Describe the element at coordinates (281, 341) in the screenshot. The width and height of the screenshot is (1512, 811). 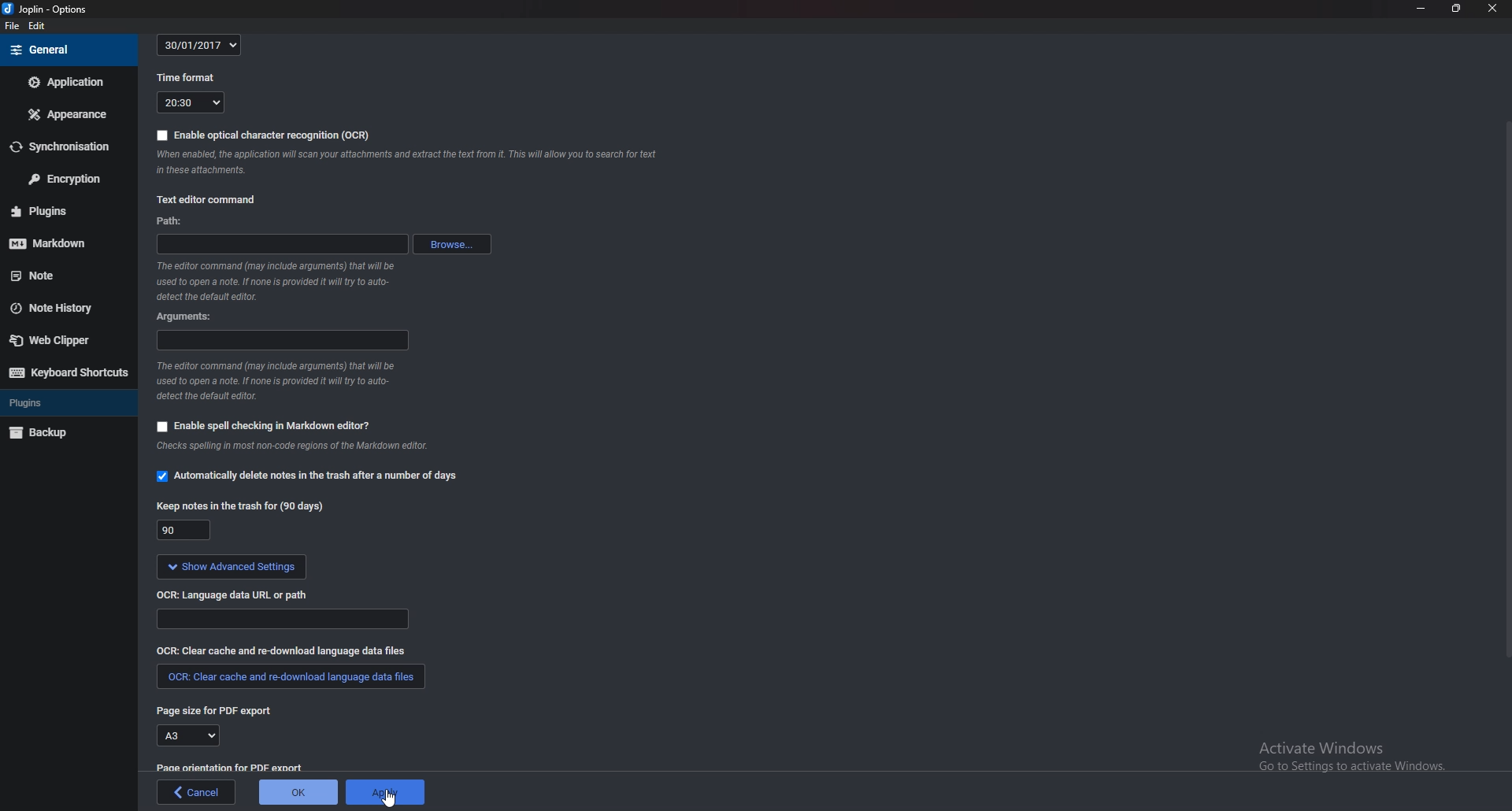
I see `arguments` at that location.